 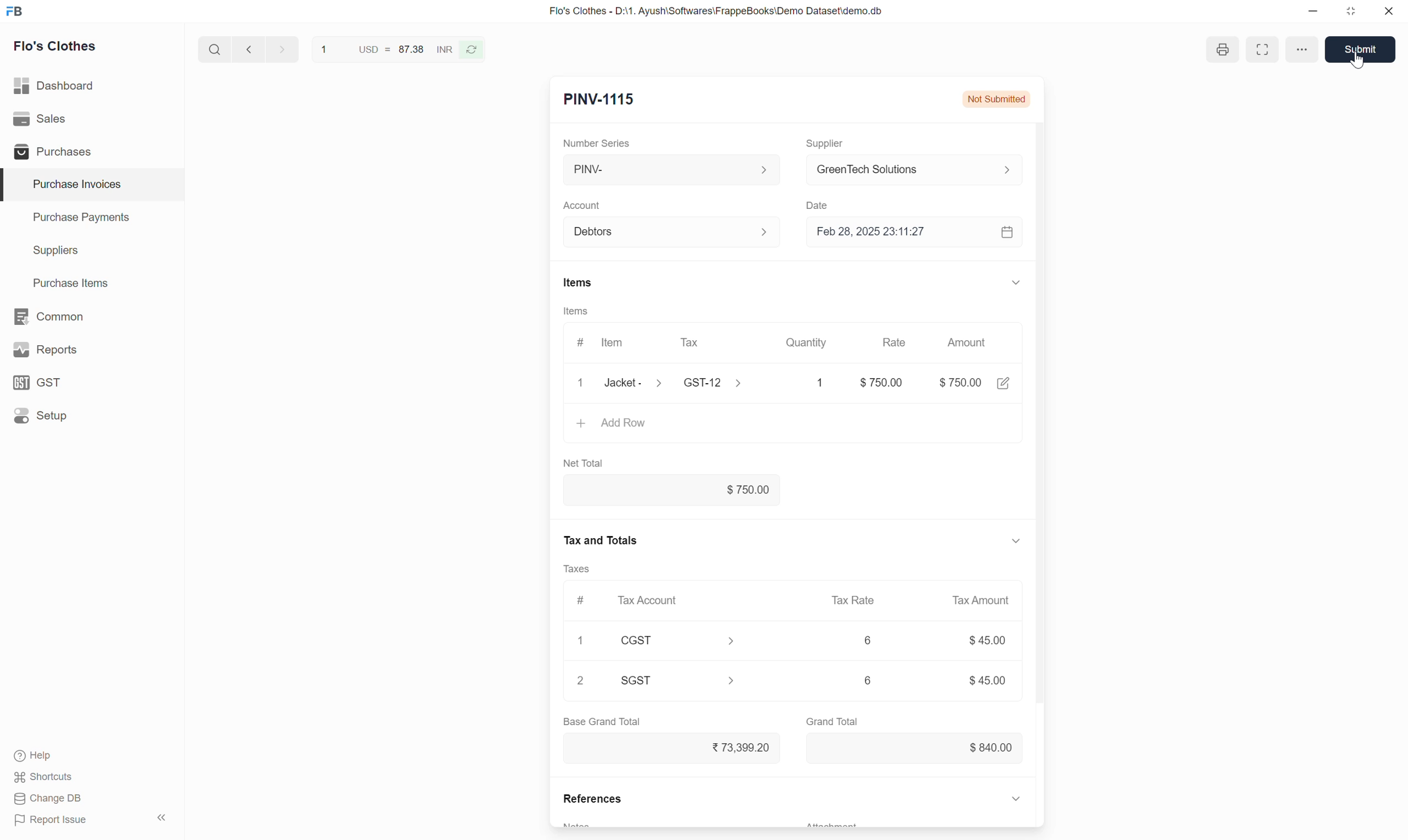 I want to click on Number Series, so click(x=596, y=143).